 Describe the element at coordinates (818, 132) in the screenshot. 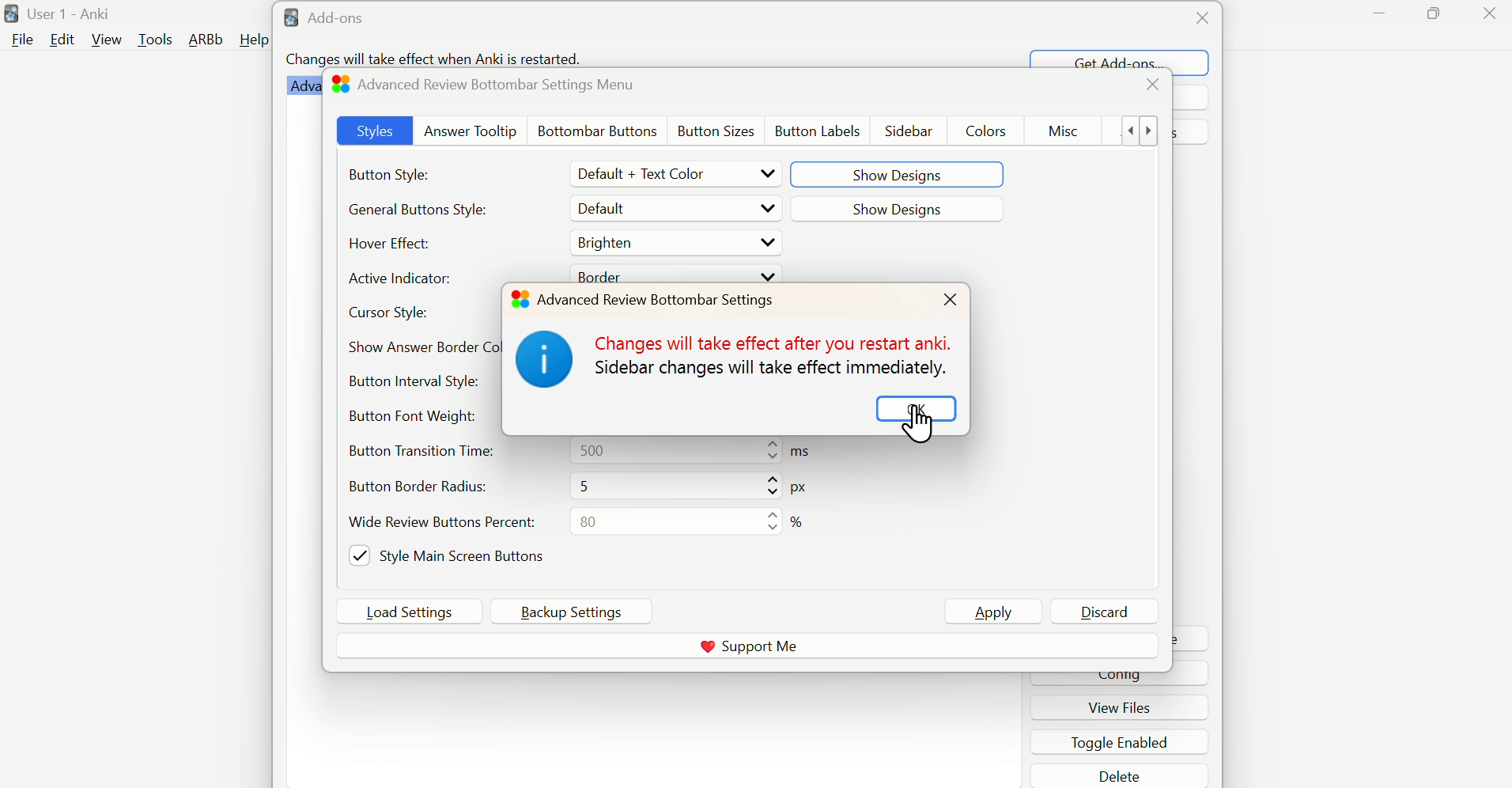

I see `Button Lables` at that location.